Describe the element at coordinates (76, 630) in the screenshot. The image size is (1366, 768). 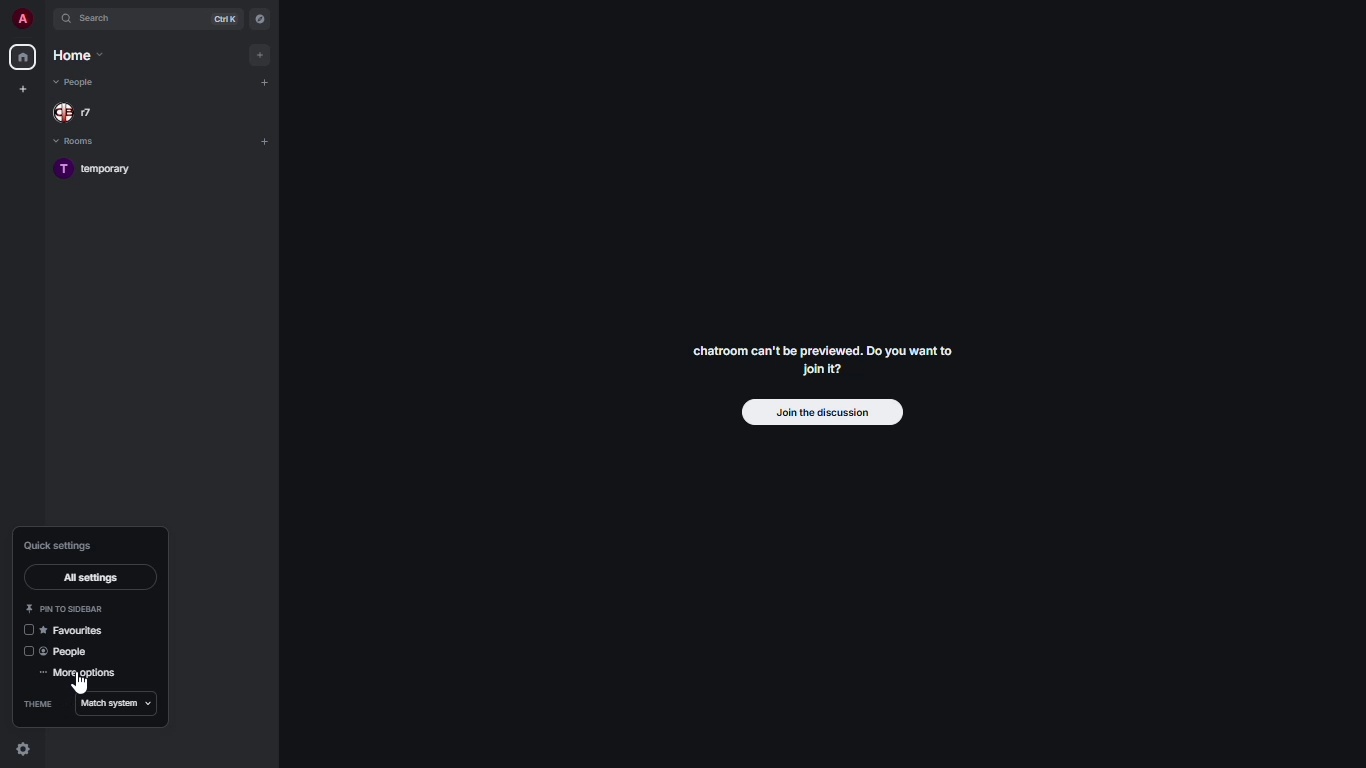
I see `favorites` at that location.